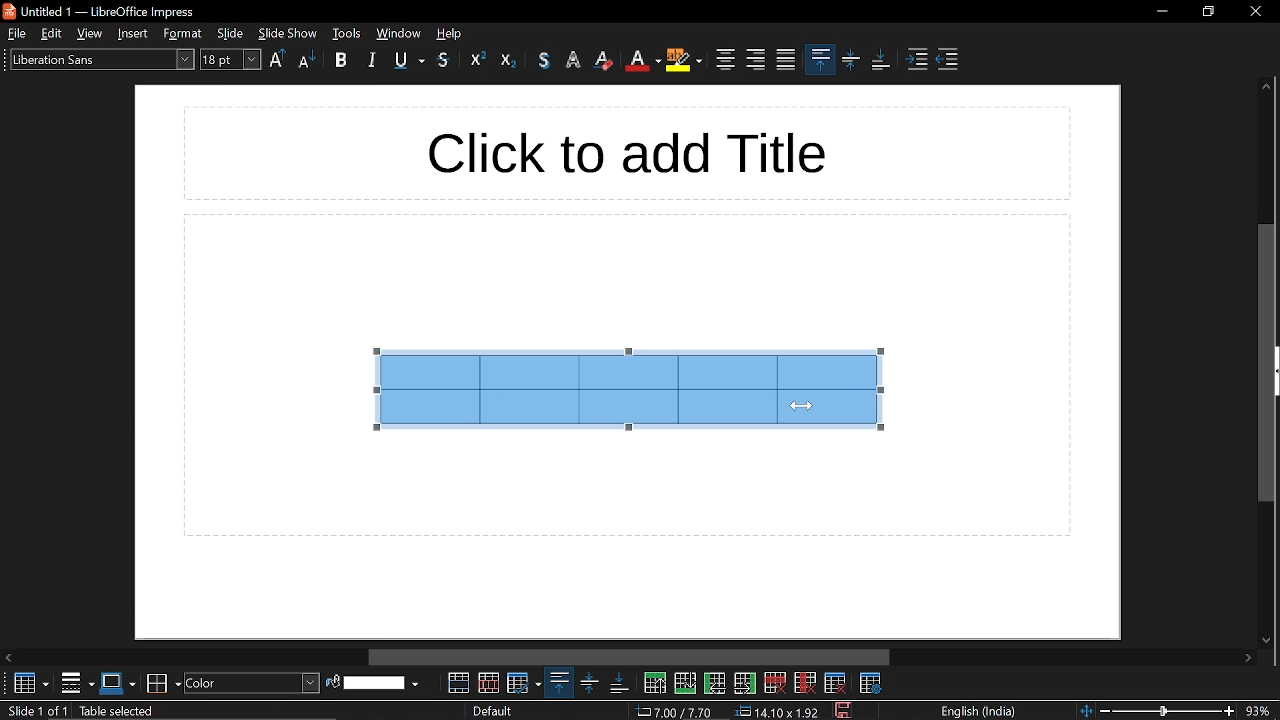 This screenshot has height=720, width=1280. Describe the element at coordinates (26, 684) in the screenshot. I see `table` at that location.